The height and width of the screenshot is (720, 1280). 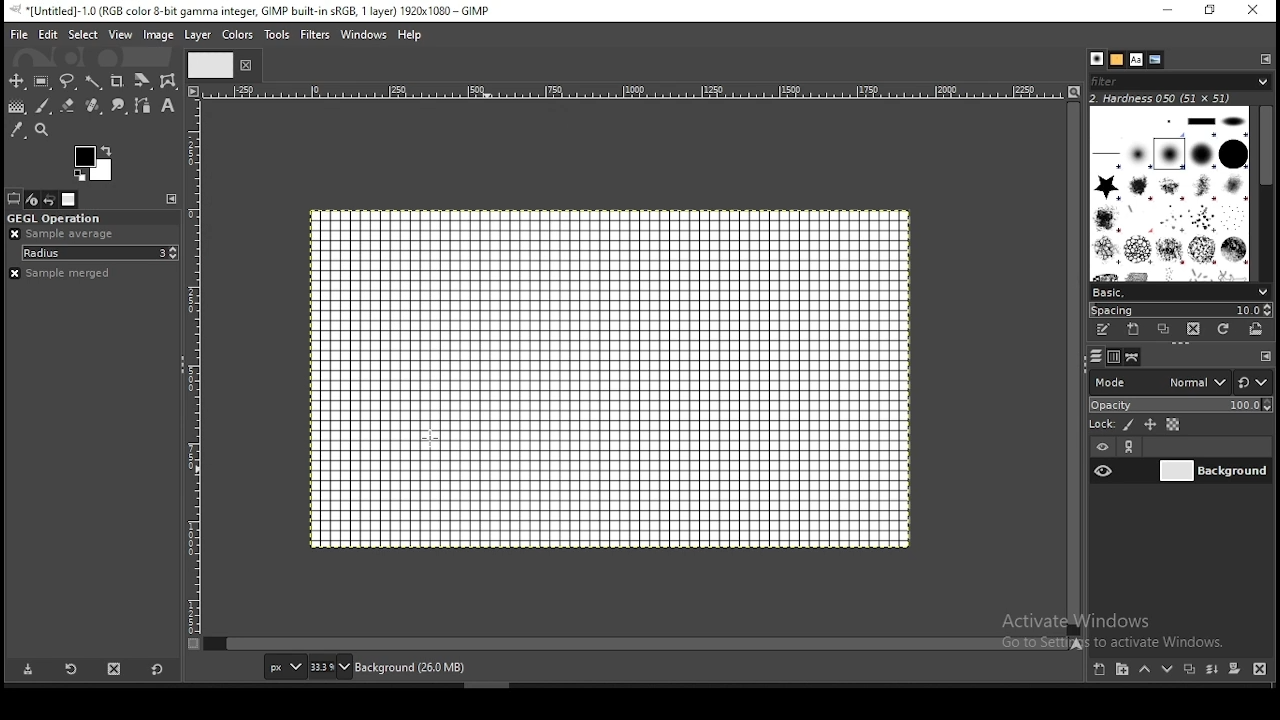 I want to click on channels, so click(x=1116, y=358).